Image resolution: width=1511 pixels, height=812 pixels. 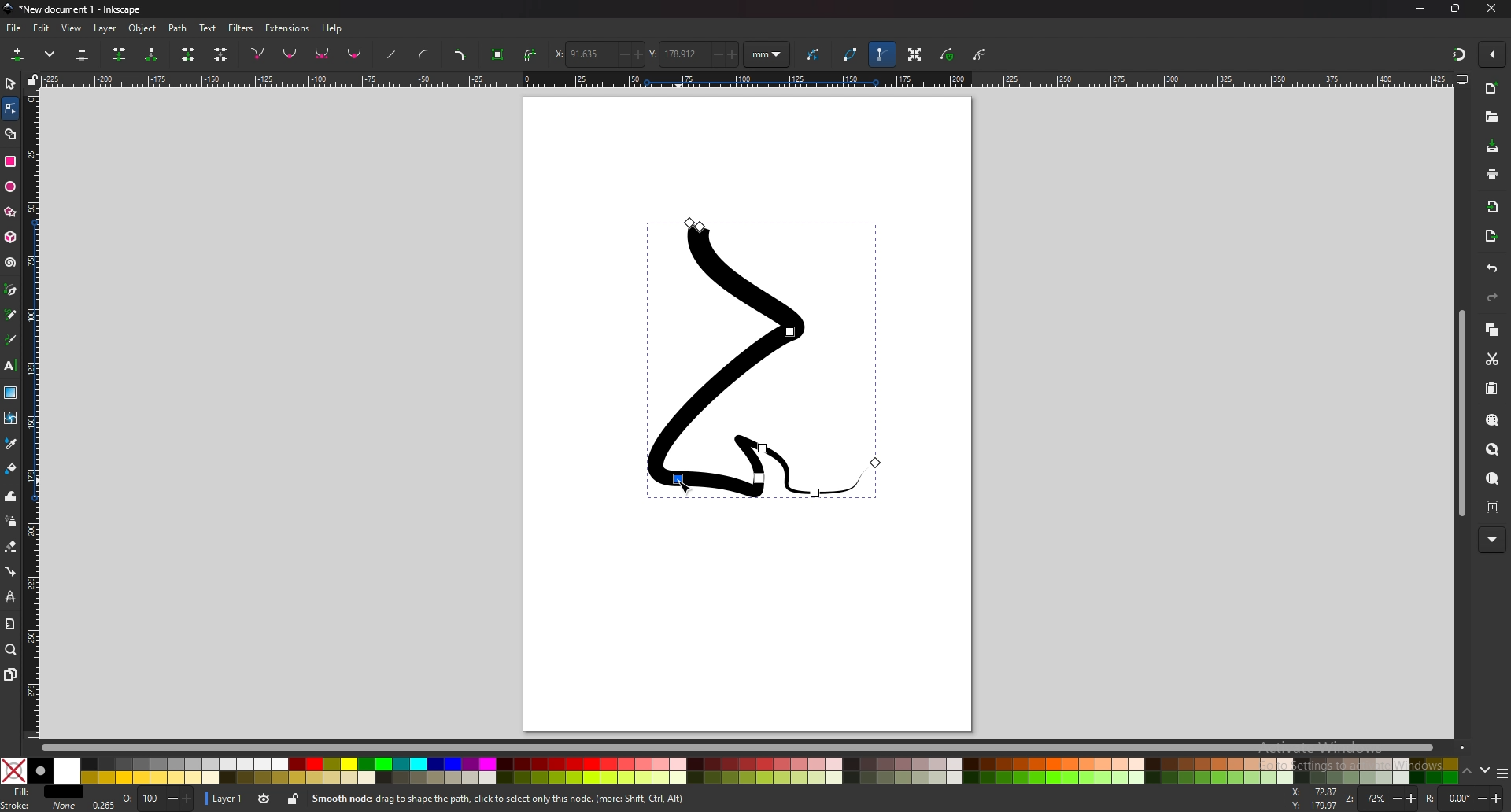 I want to click on stroke, so click(x=39, y=806).